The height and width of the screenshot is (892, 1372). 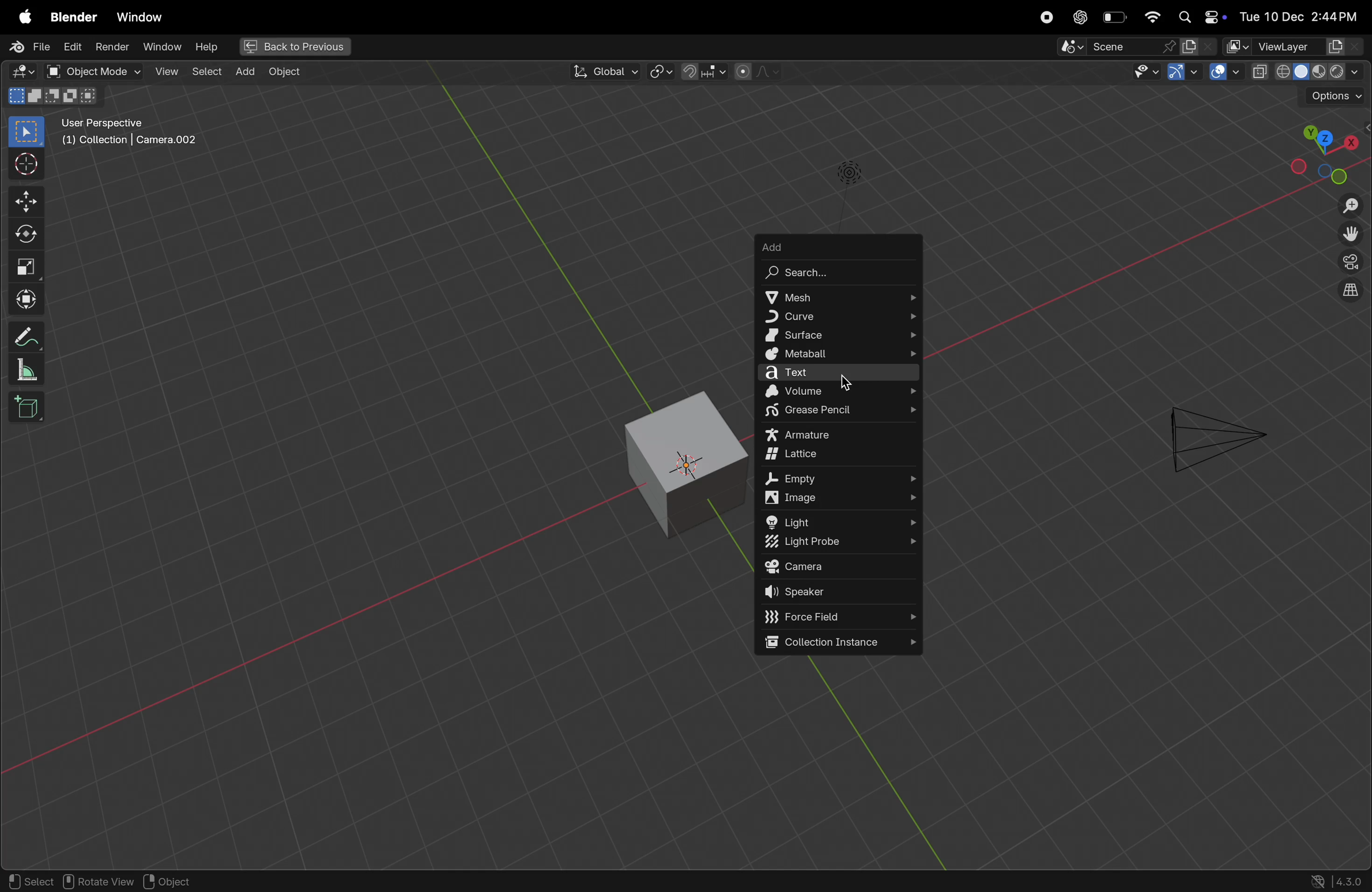 What do you see at coordinates (704, 71) in the screenshot?
I see `snap` at bounding box center [704, 71].